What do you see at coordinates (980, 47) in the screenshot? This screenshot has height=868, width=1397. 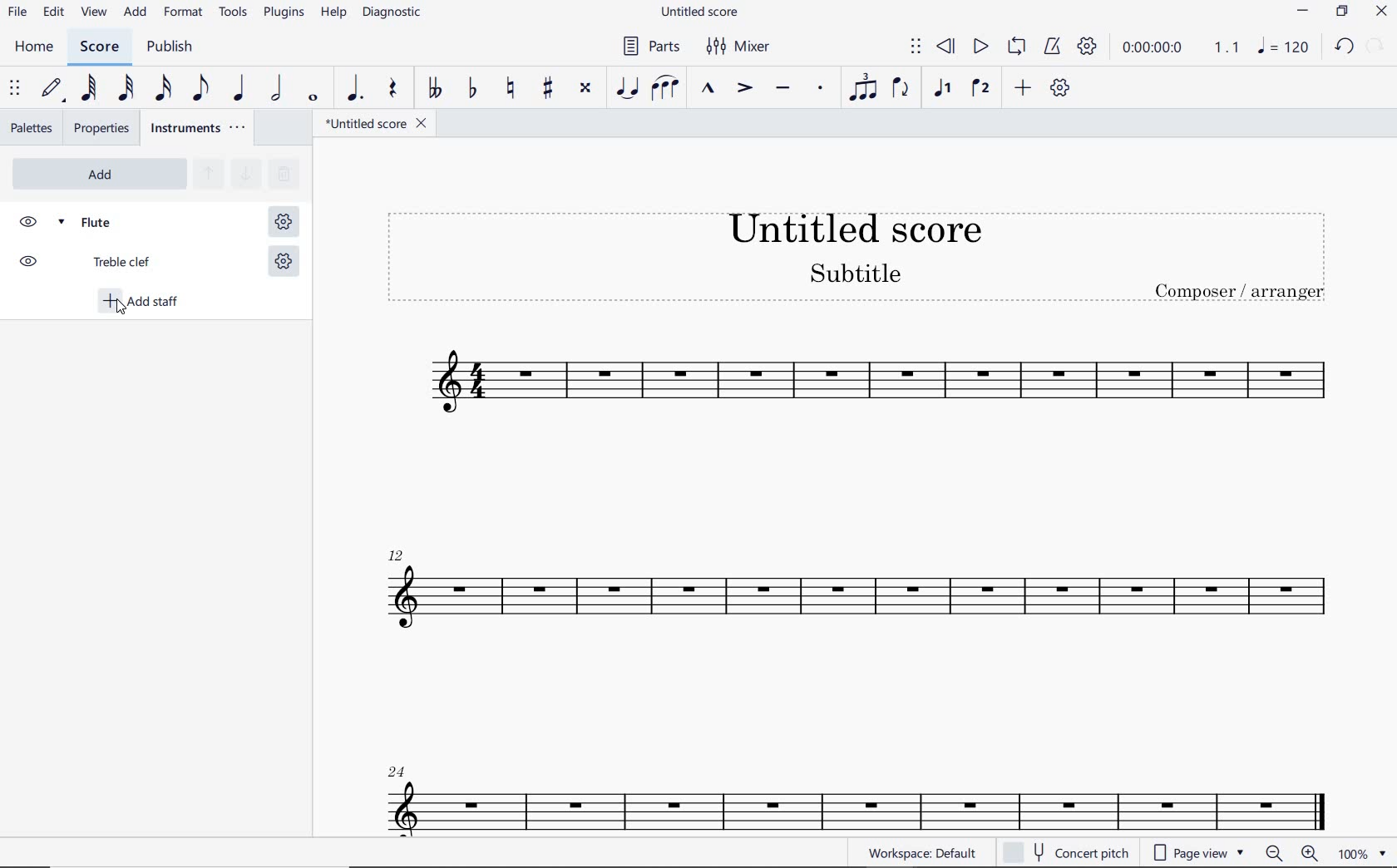 I see `PLAY` at bounding box center [980, 47].